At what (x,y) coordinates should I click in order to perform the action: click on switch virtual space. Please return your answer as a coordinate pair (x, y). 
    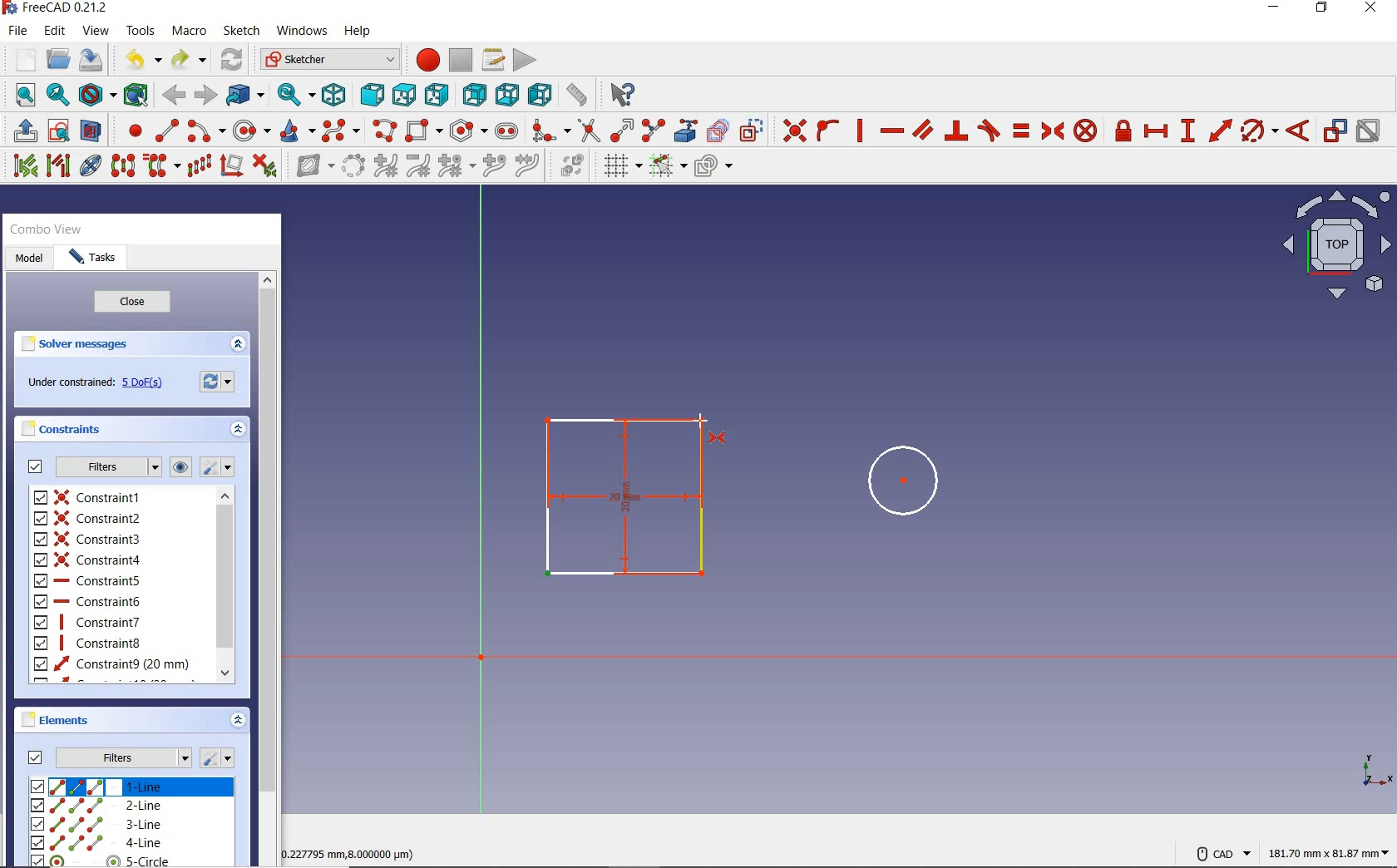
    Looking at the image, I should click on (569, 167).